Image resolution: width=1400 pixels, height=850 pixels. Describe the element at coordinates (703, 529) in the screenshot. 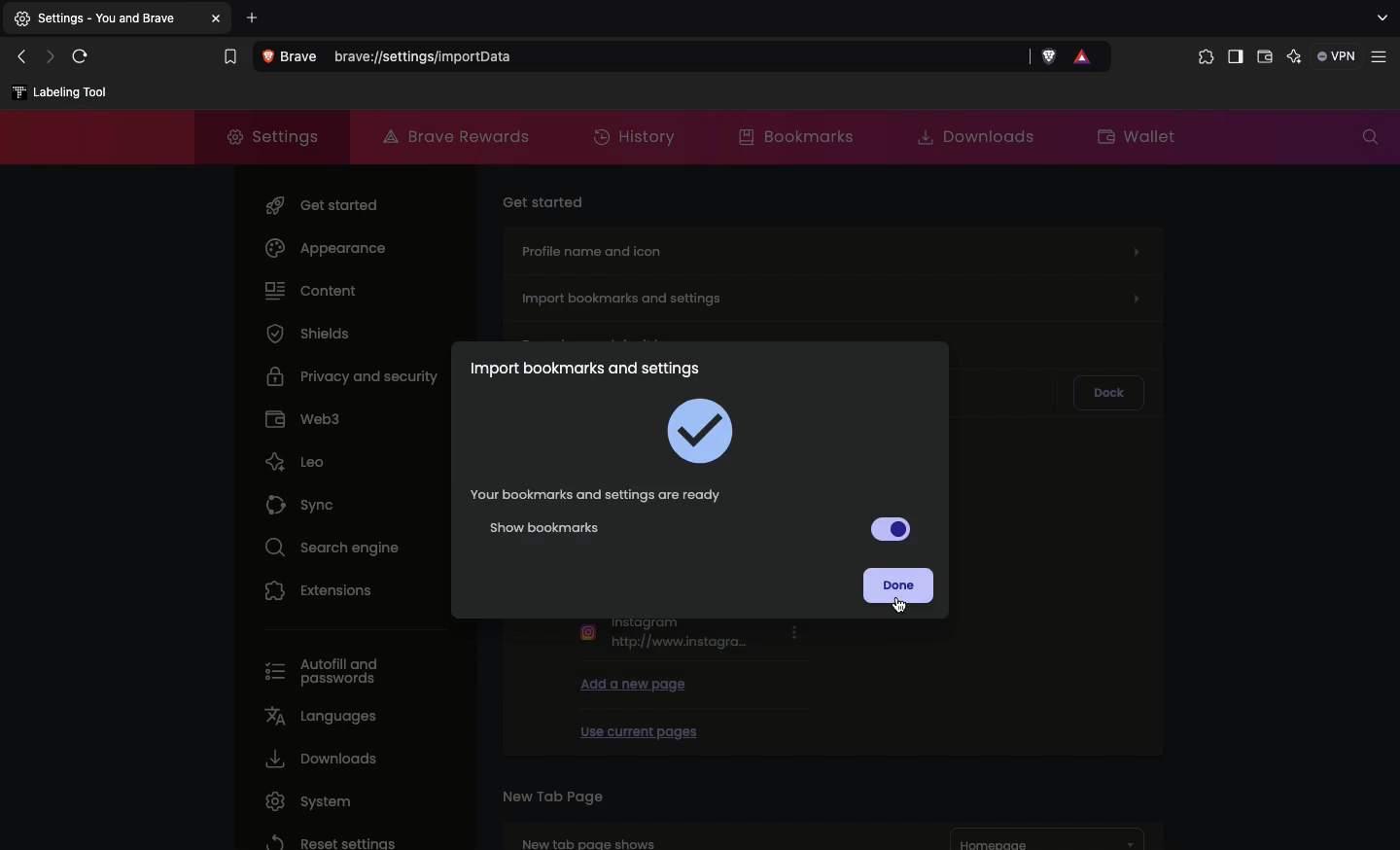

I see `Show bookmarks` at that location.